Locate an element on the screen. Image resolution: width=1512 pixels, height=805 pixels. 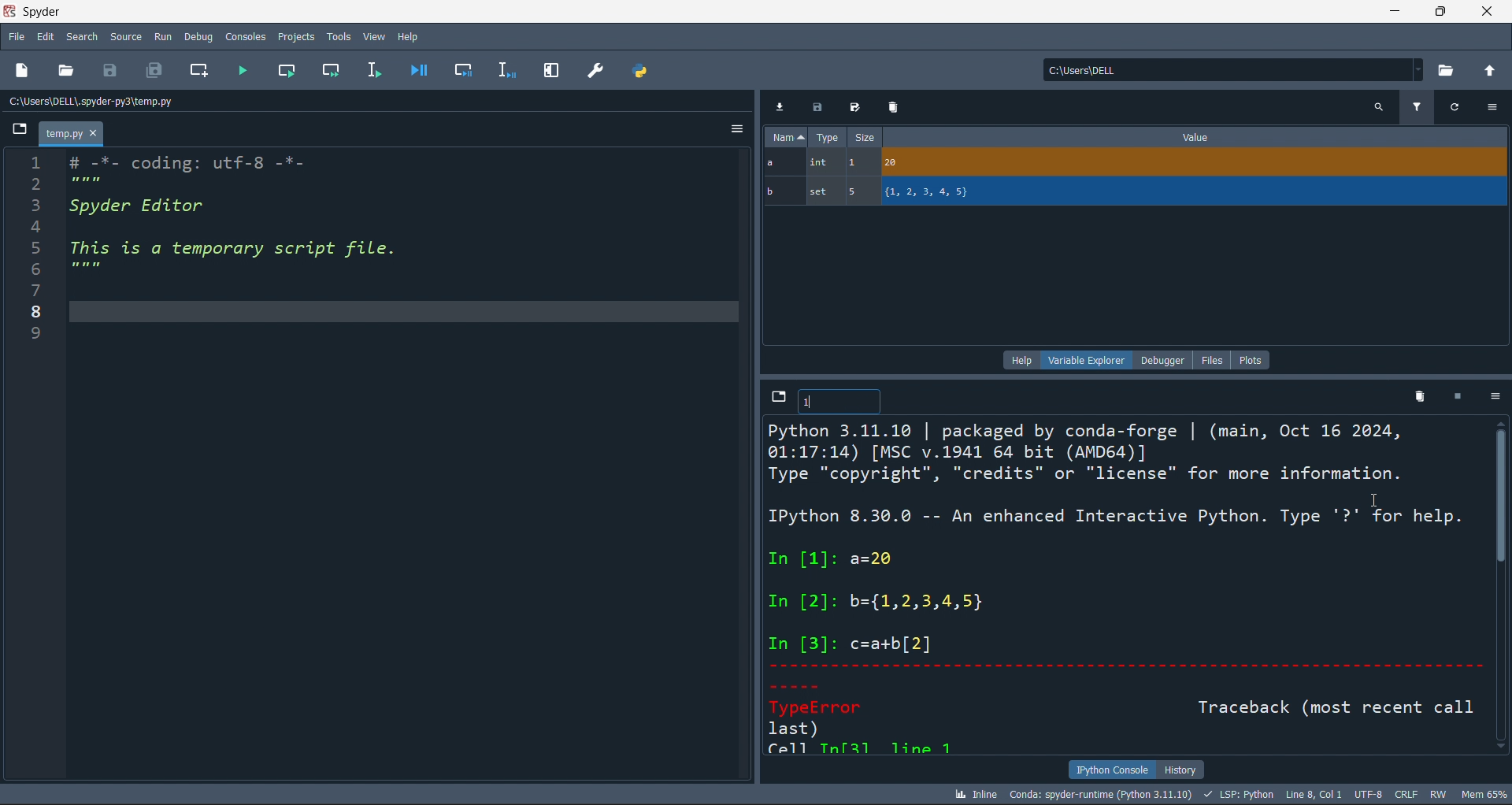
save data as is located at coordinates (852, 108).